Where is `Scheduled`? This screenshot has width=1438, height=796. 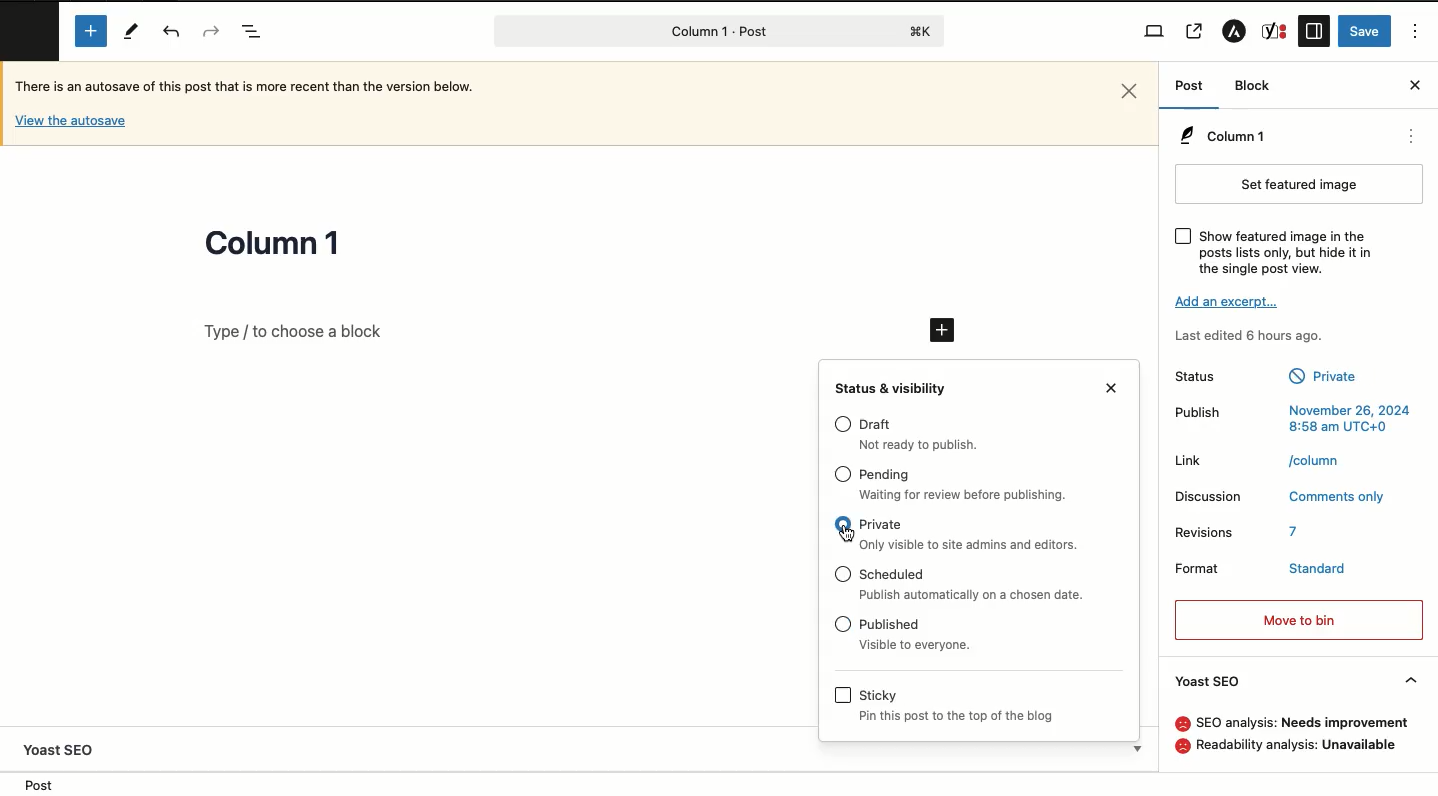 Scheduled is located at coordinates (977, 594).